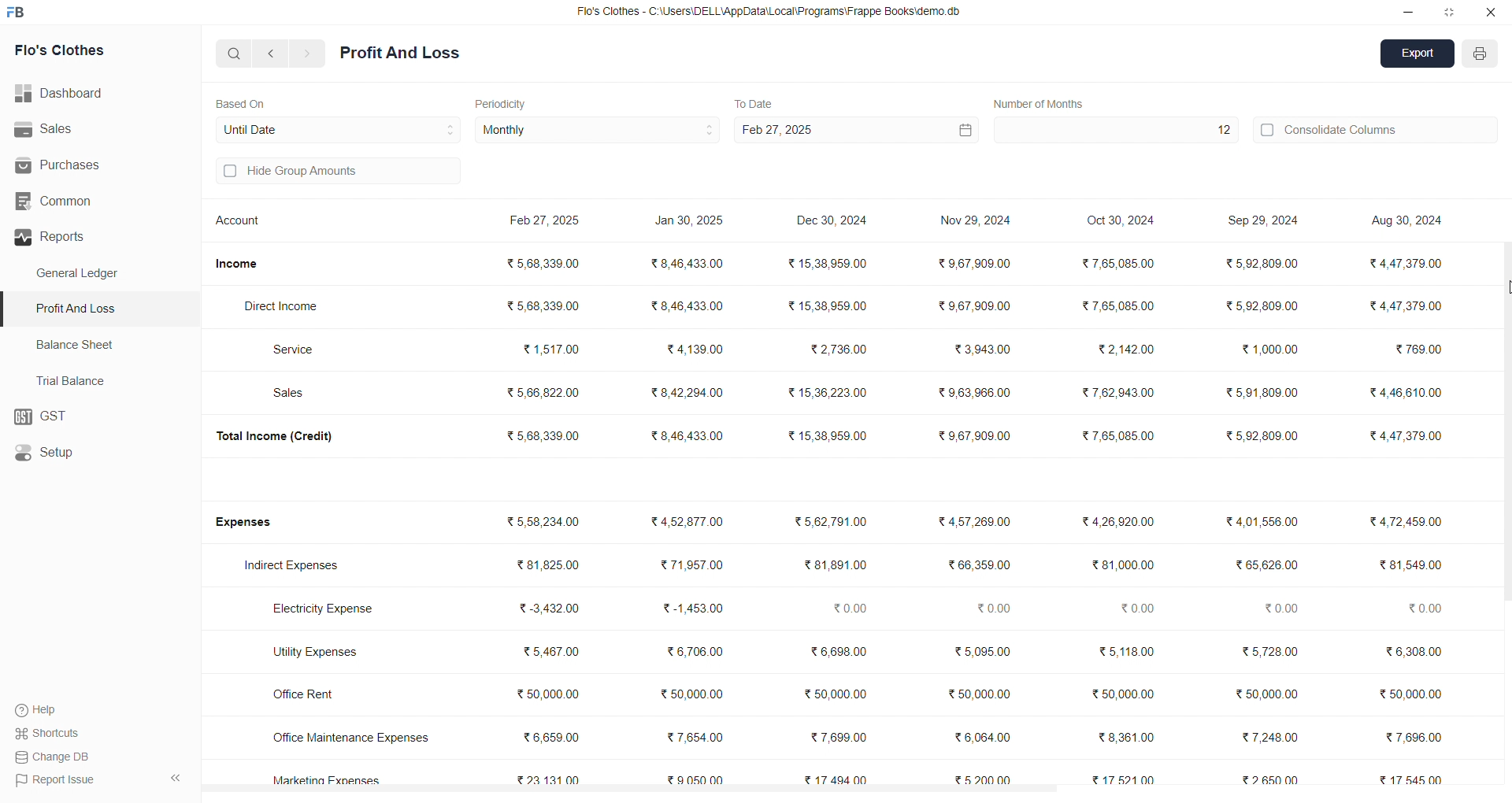  I want to click on ₹ 1,517.00, so click(551, 348).